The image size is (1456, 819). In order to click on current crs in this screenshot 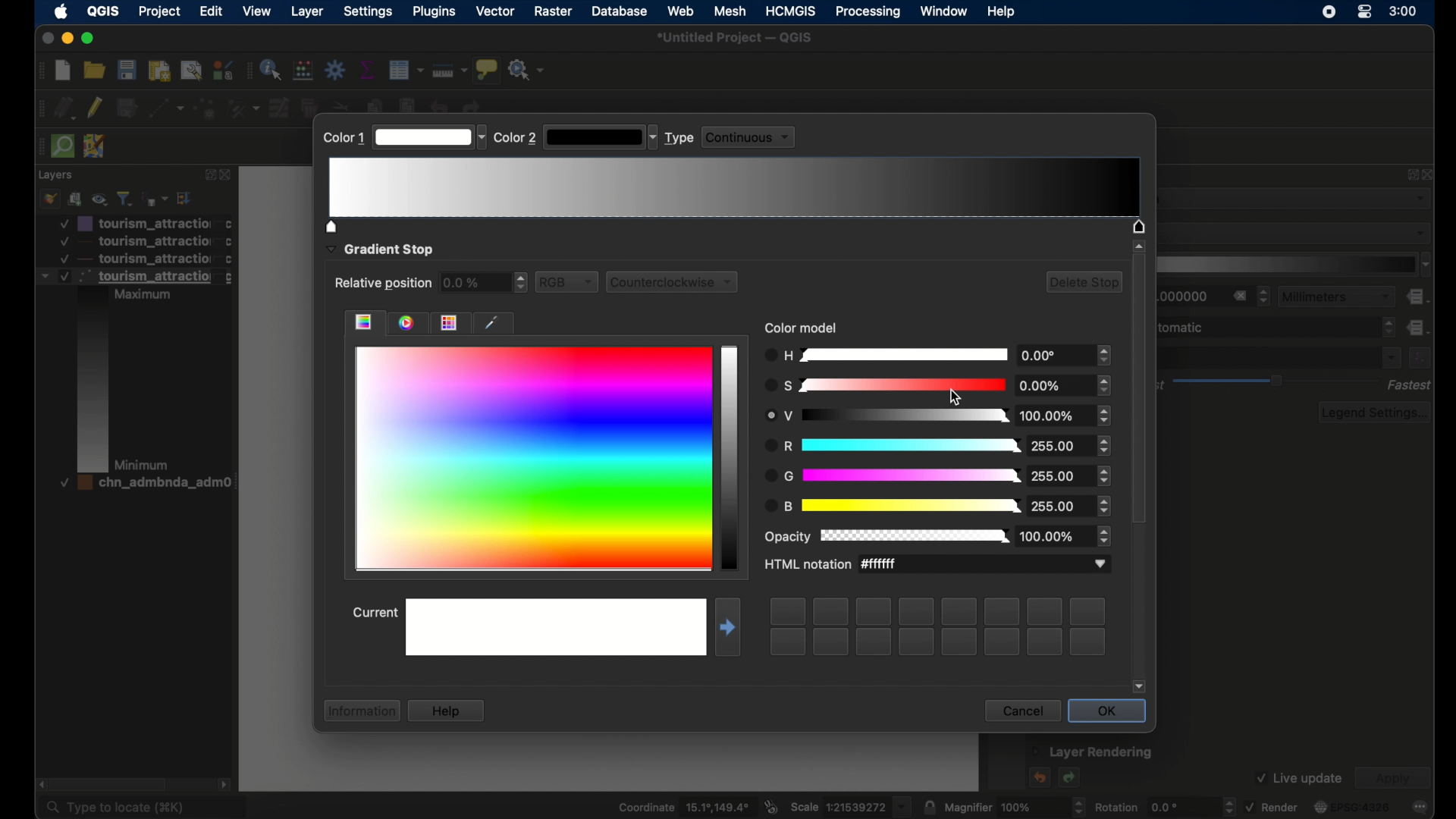, I will do `click(1352, 807)`.